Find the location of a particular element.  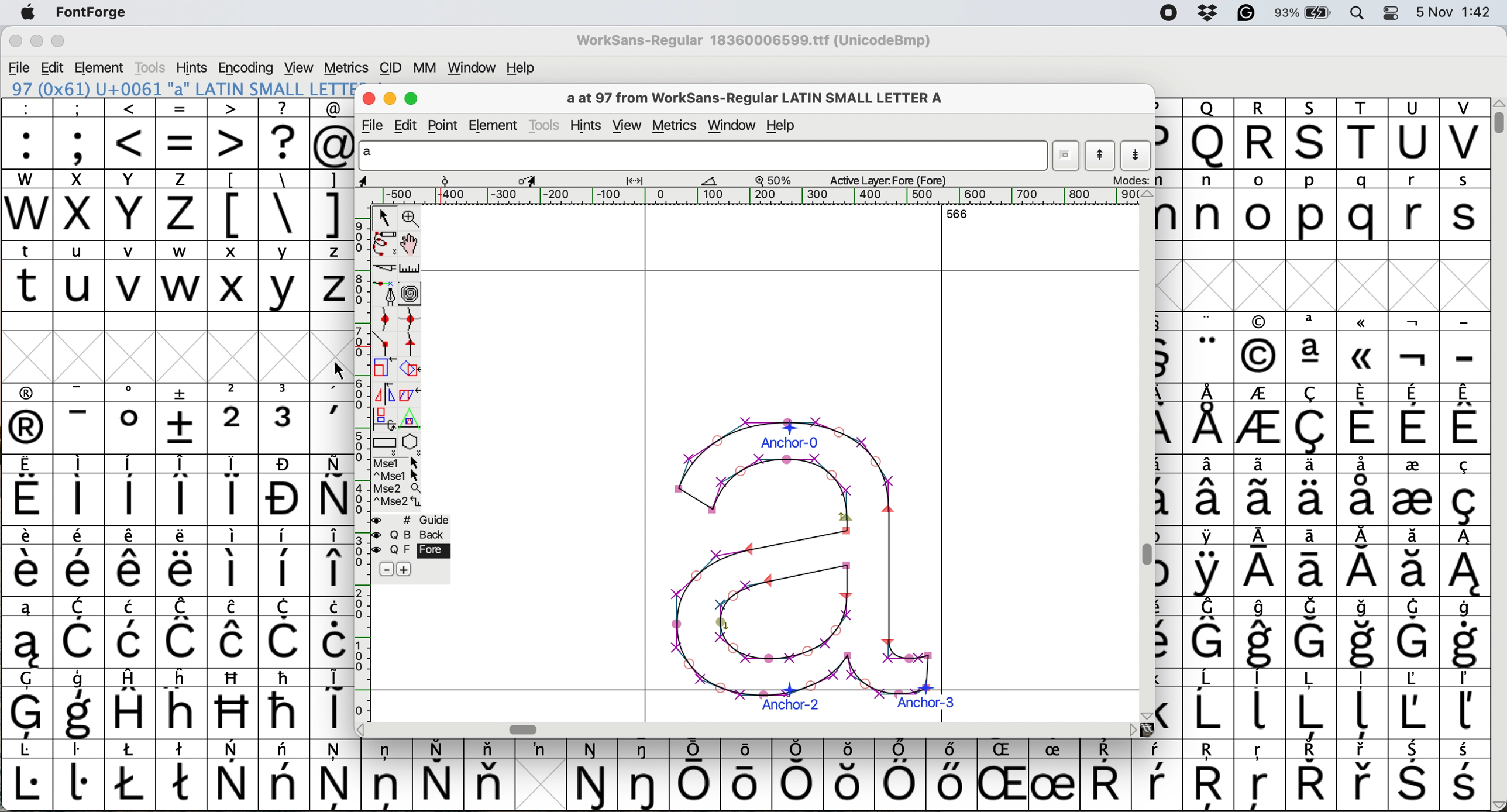

symbol is located at coordinates (183, 632).